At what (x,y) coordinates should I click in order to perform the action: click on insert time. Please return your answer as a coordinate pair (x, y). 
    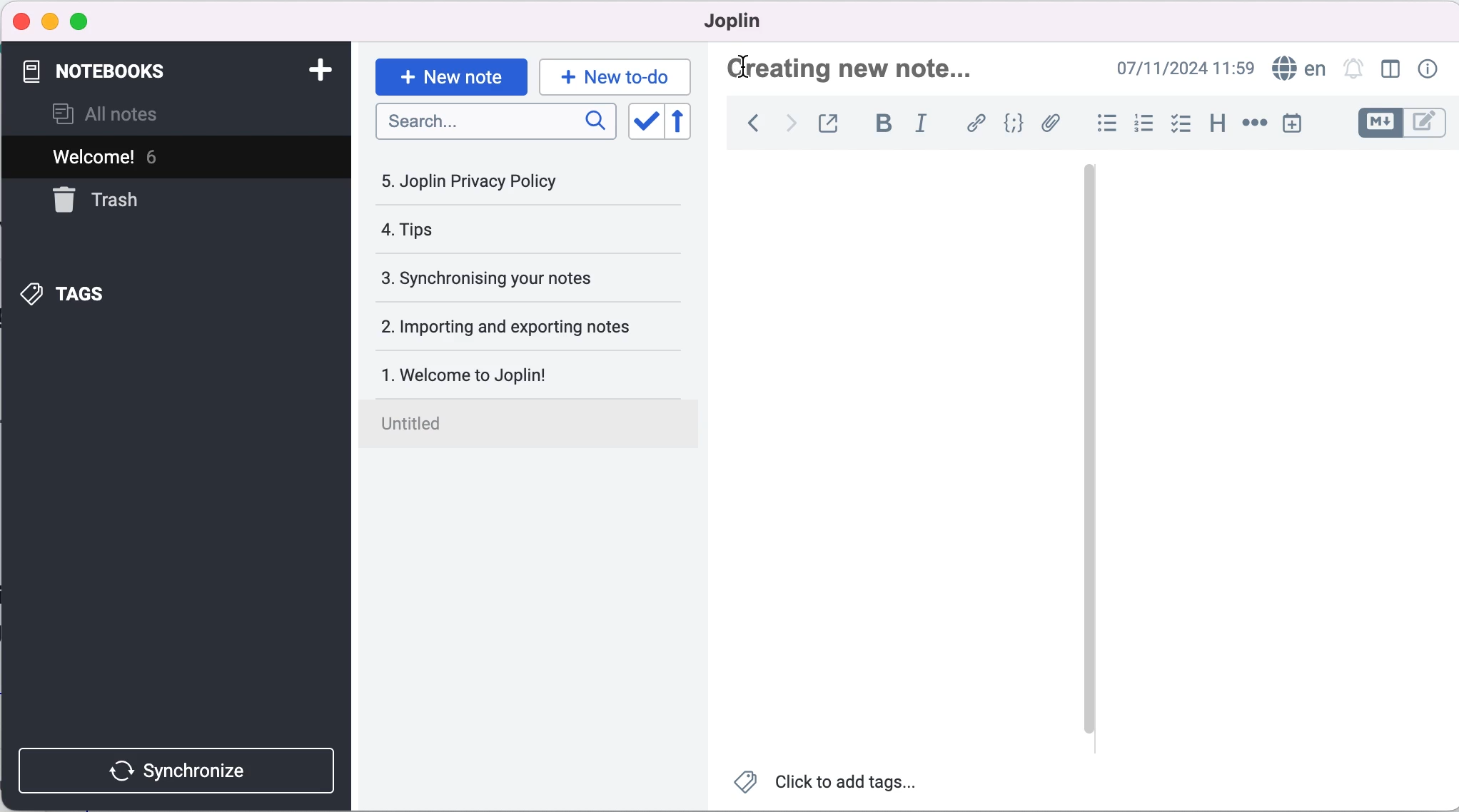
    Looking at the image, I should click on (1297, 126).